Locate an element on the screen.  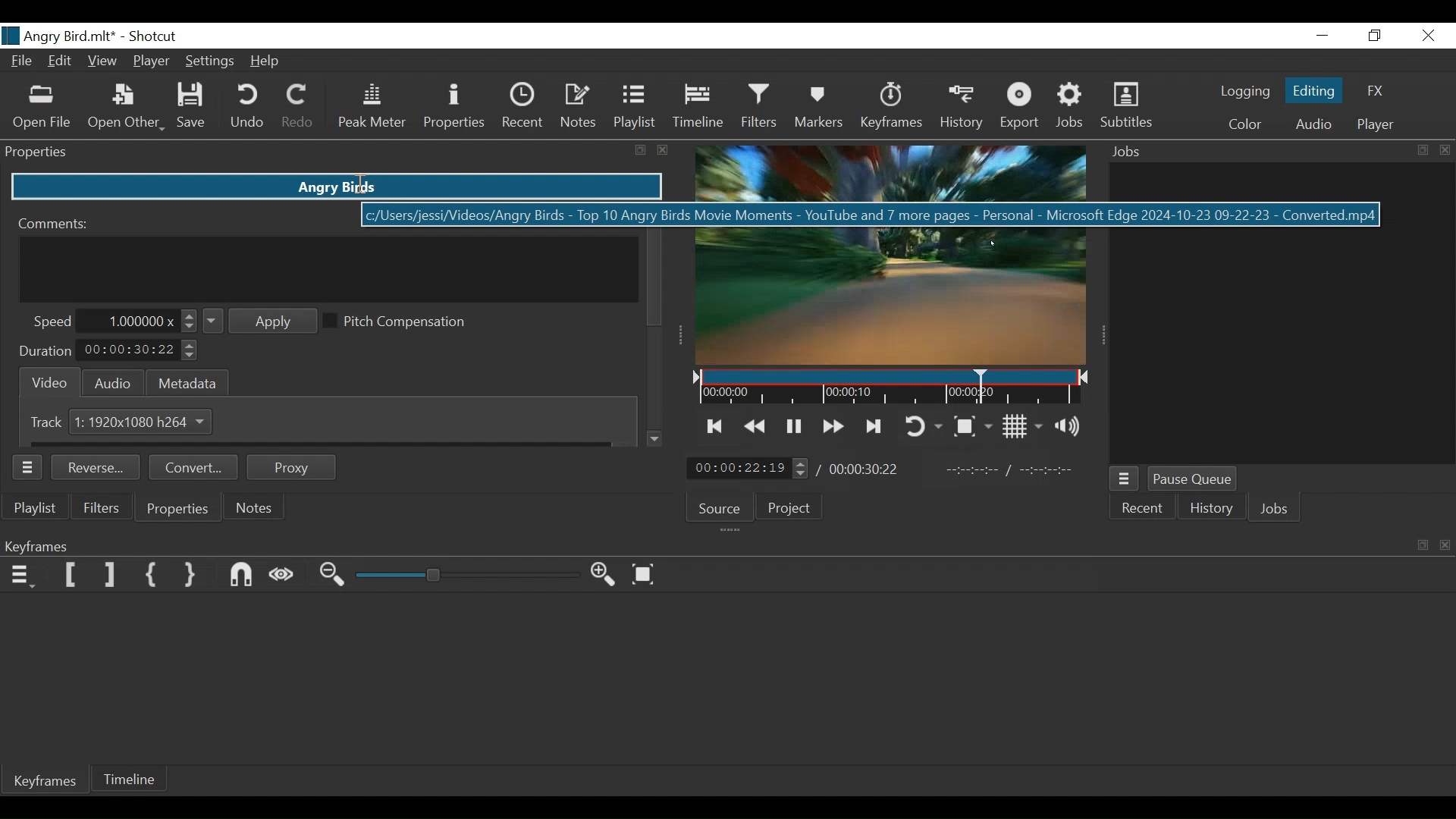
Show volume control is located at coordinates (1072, 428).